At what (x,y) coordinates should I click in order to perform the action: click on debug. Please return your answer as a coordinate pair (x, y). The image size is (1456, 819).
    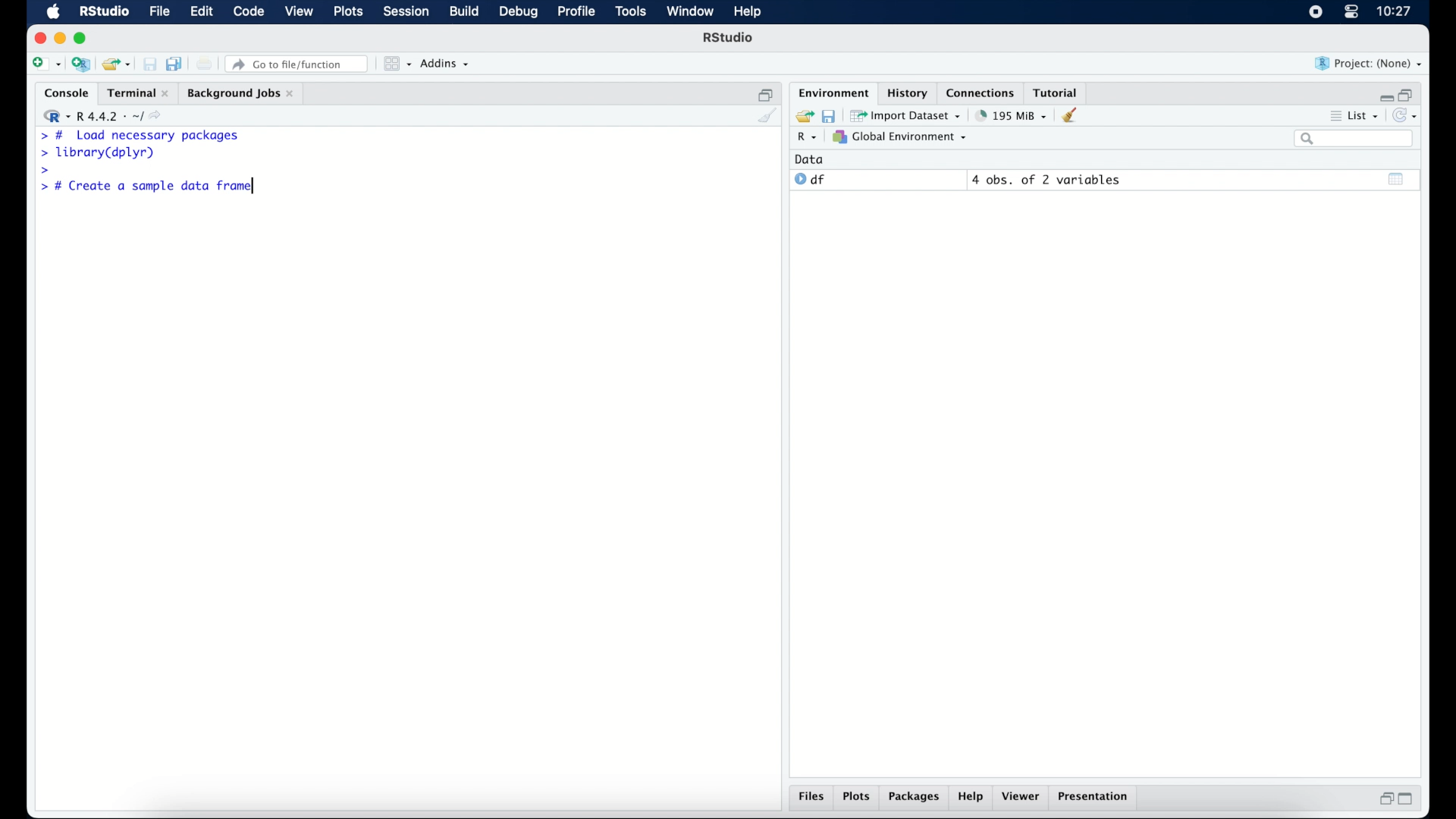
    Looking at the image, I should click on (519, 13).